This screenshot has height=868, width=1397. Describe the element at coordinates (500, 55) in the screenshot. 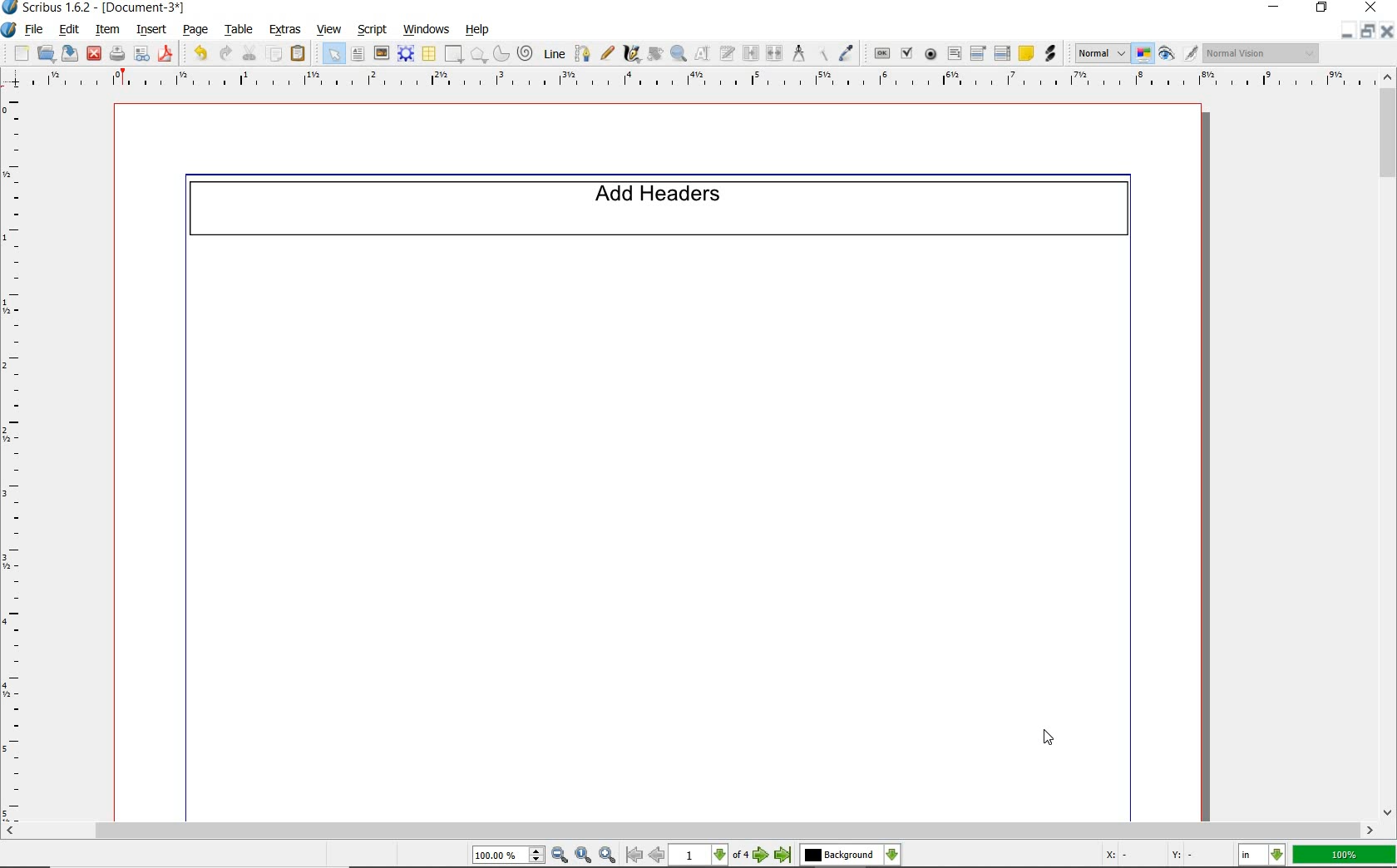

I see `arc` at that location.